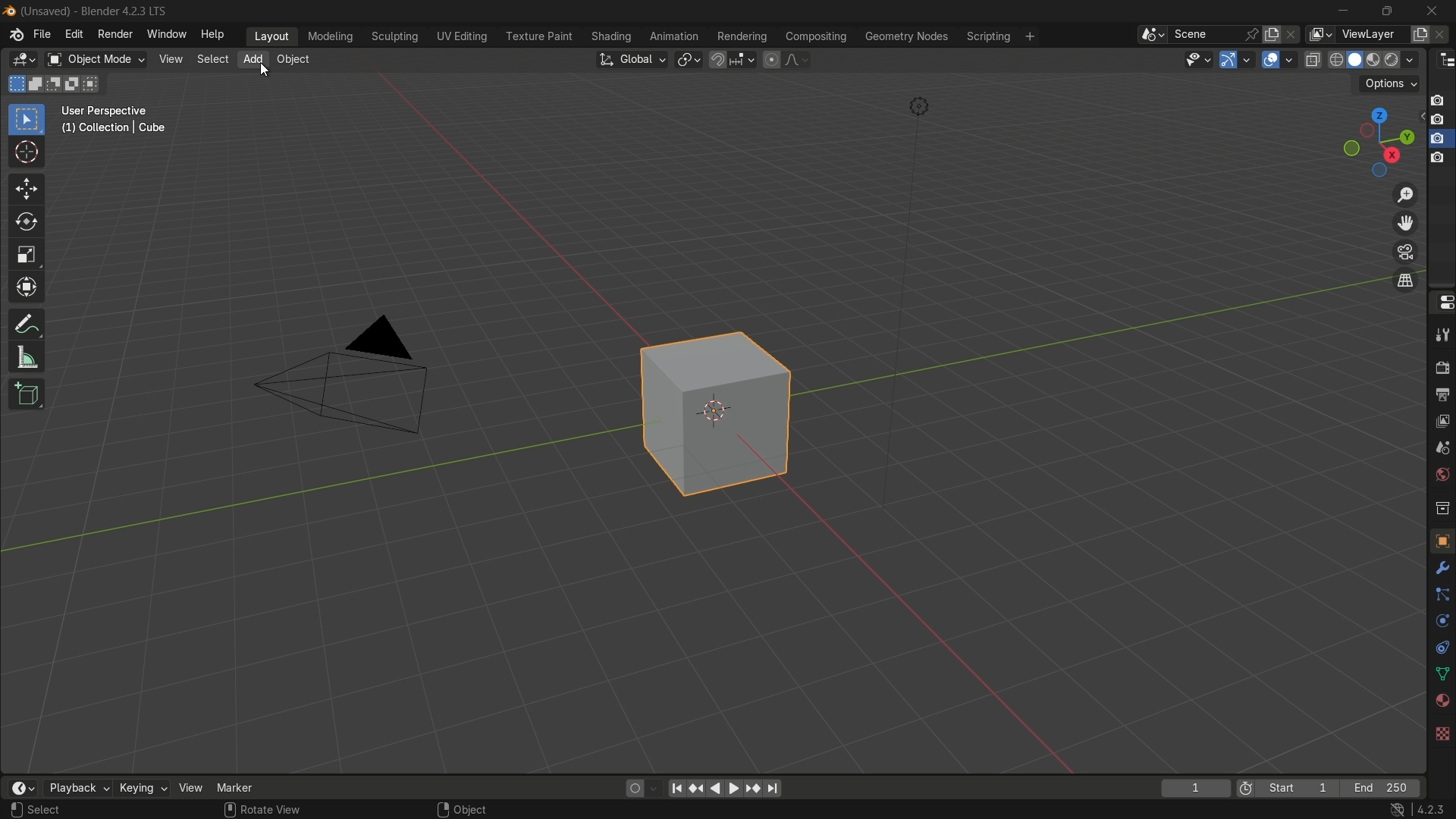 The width and height of the screenshot is (1456, 819). Describe the element at coordinates (76, 84) in the screenshot. I see `invert existing selection` at that location.